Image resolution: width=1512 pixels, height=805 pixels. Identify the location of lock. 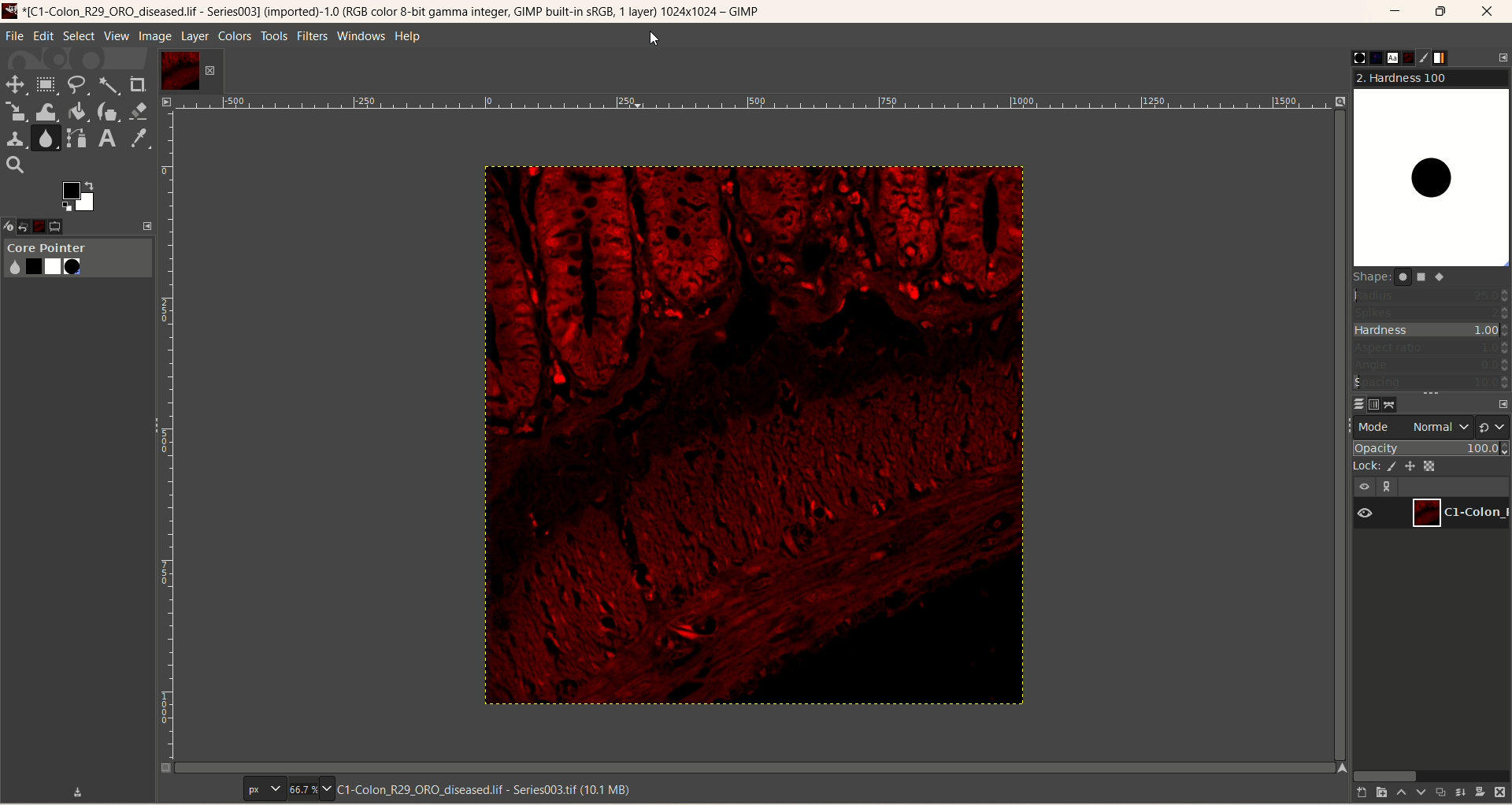
(1365, 465).